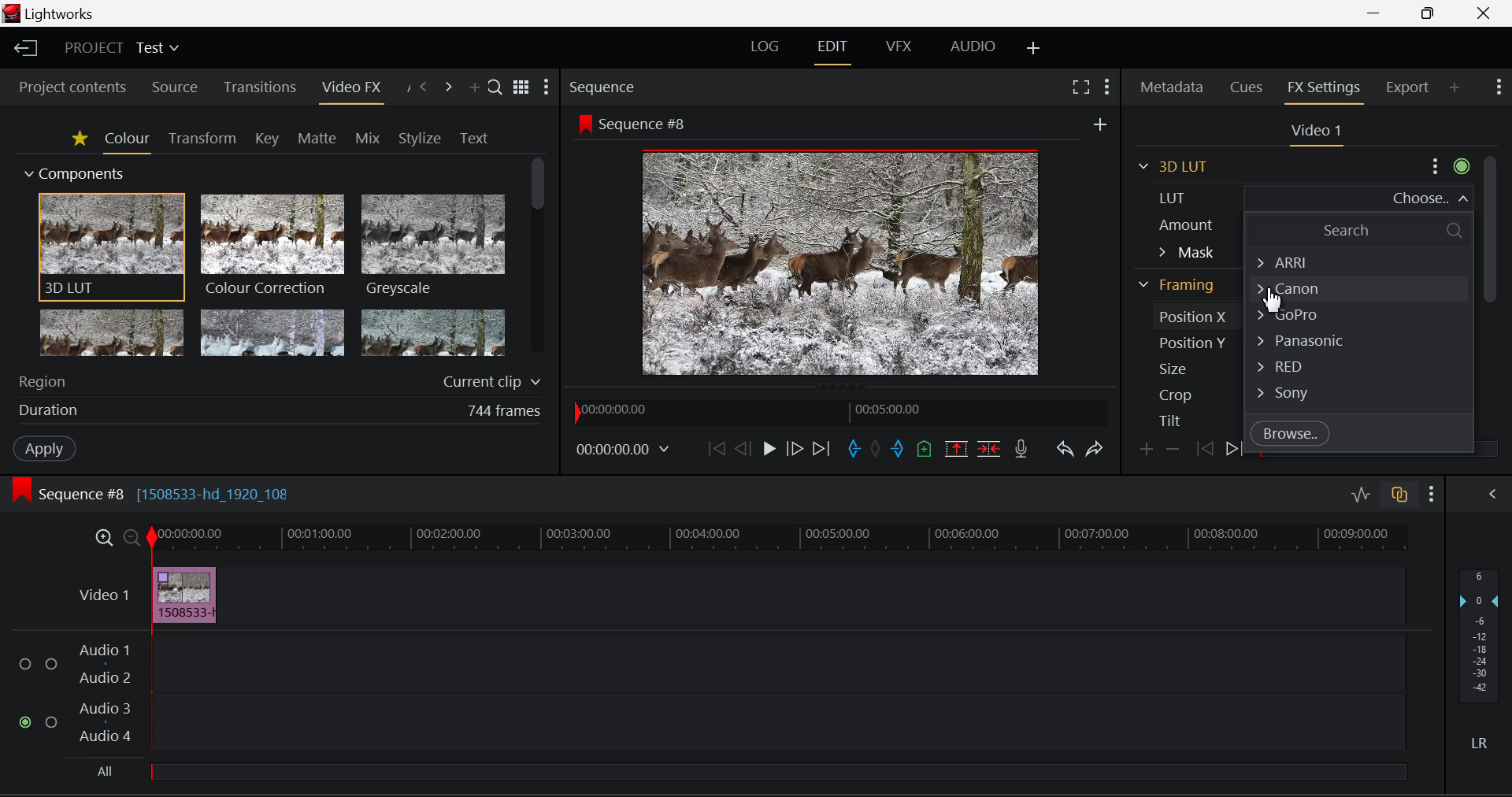 Image resolution: width=1512 pixels, height=797 pixels. Describe the element at coordinates (157, 495) in the screenshot. I see `Sequence Editing Section` at that location.